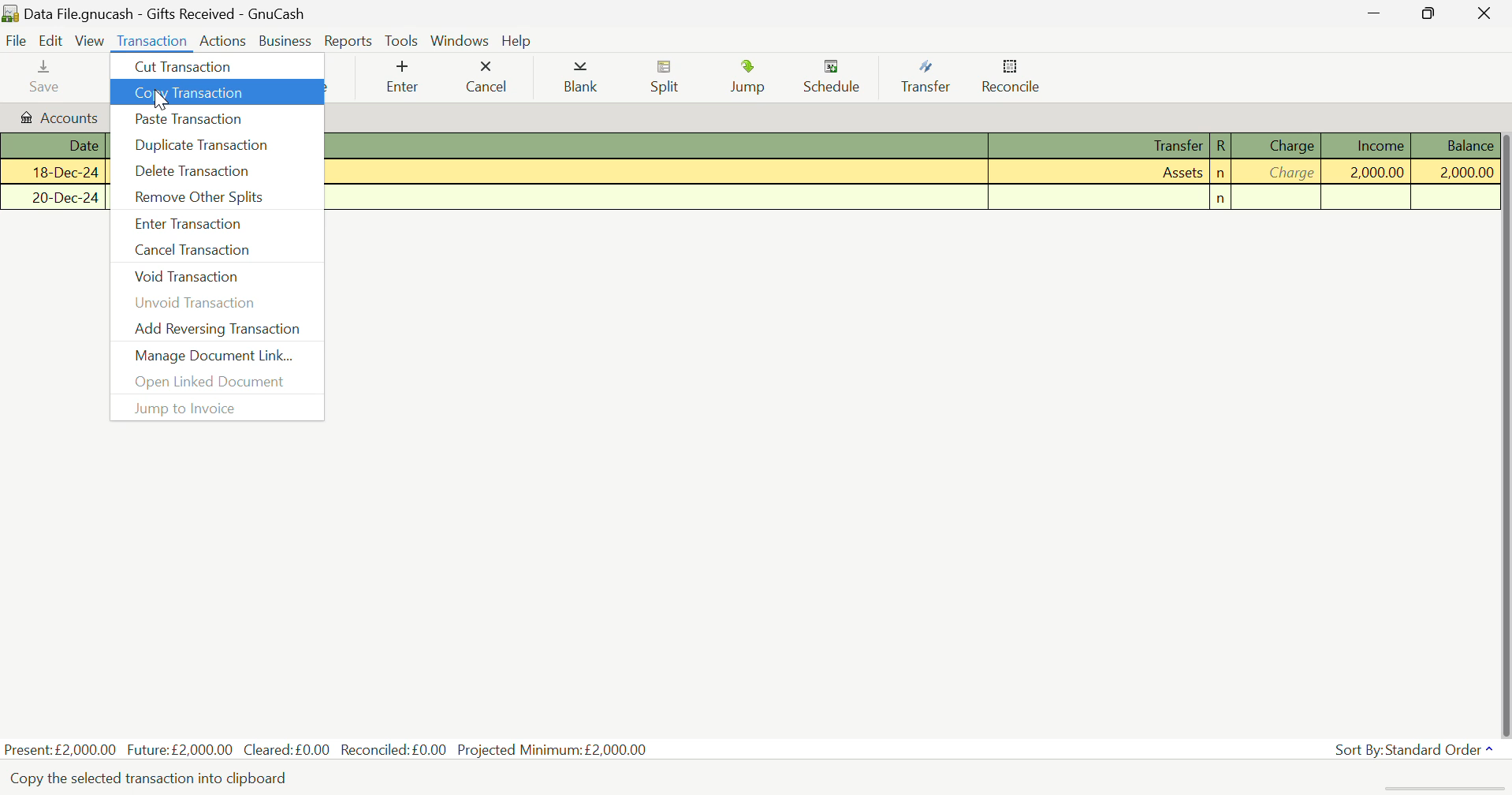 The height and width of the screenshot is (795, 1512). Describe the element at coordinates (222, 40) in the screenshot. I see `Actions` at that location.